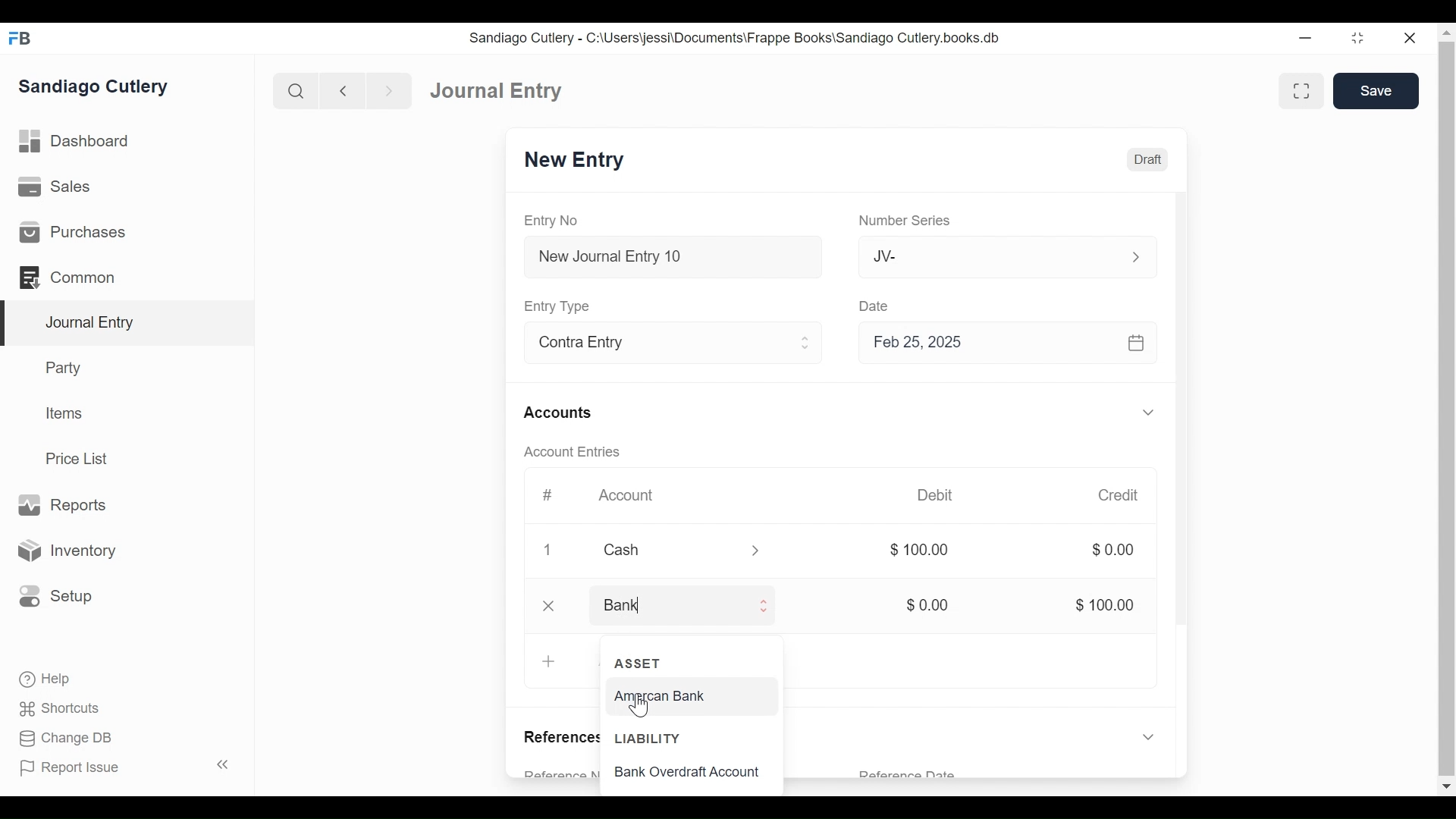 The height and width of the screenshot is (819, 1456). I want to click on scroll up, so click(1446, 33).